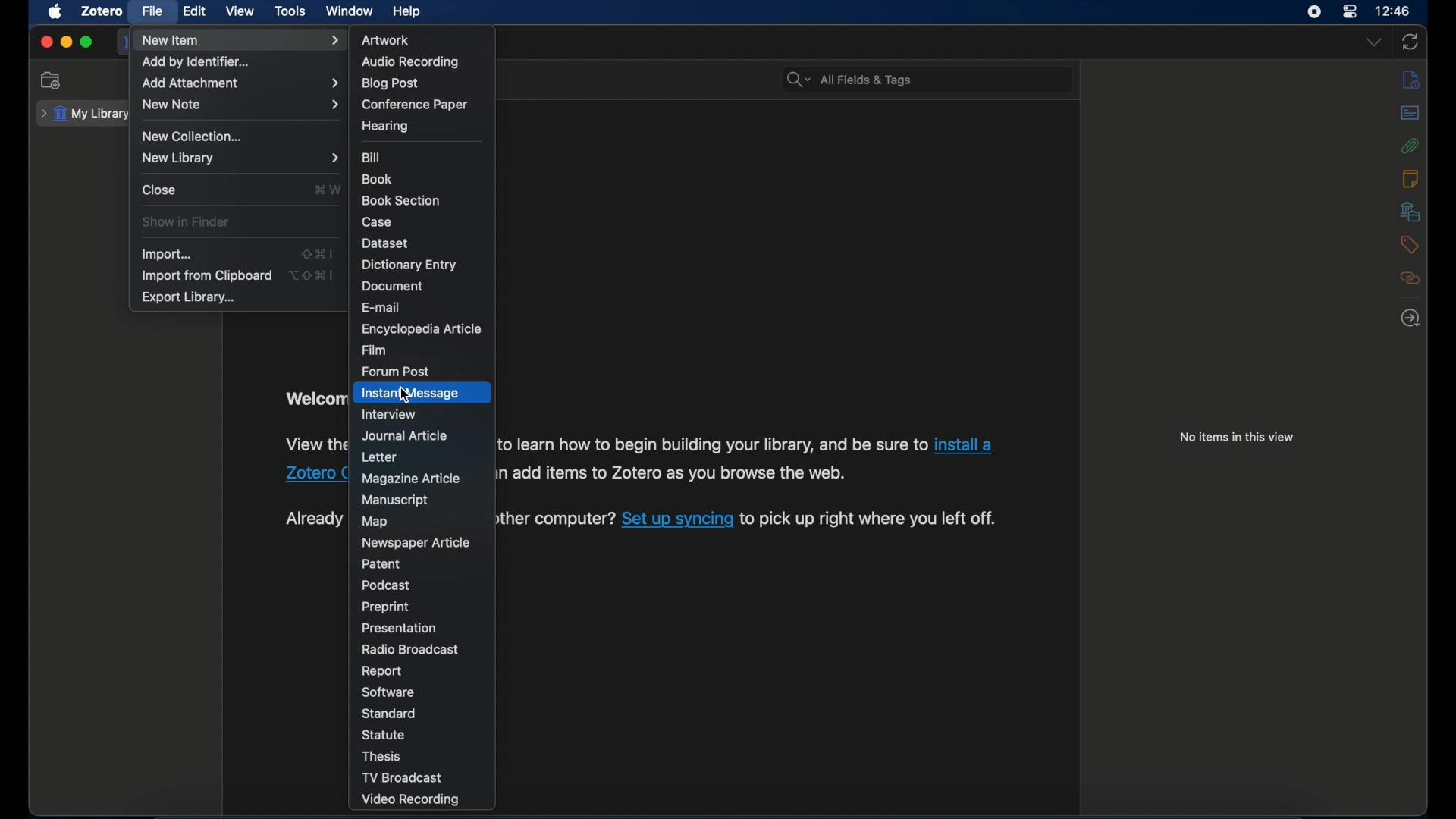  I want to click on window, so click(349, 11).